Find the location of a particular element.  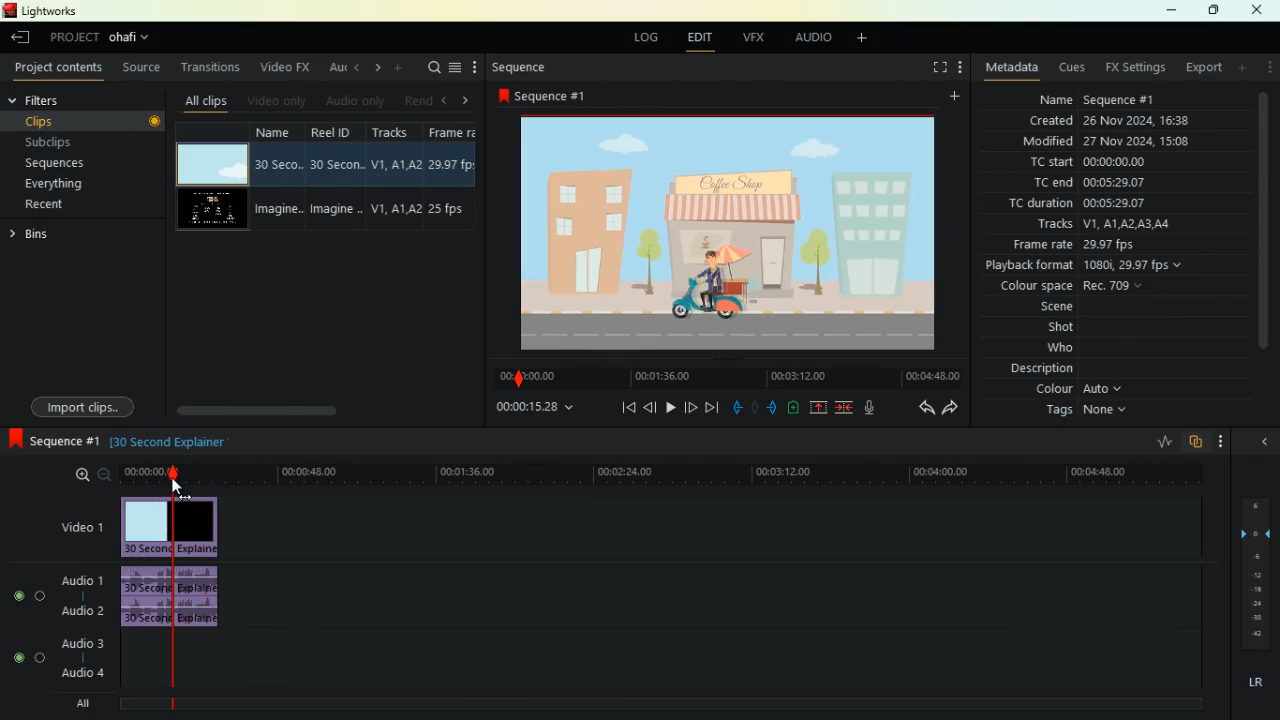

end is located at coordinates (714, 407).